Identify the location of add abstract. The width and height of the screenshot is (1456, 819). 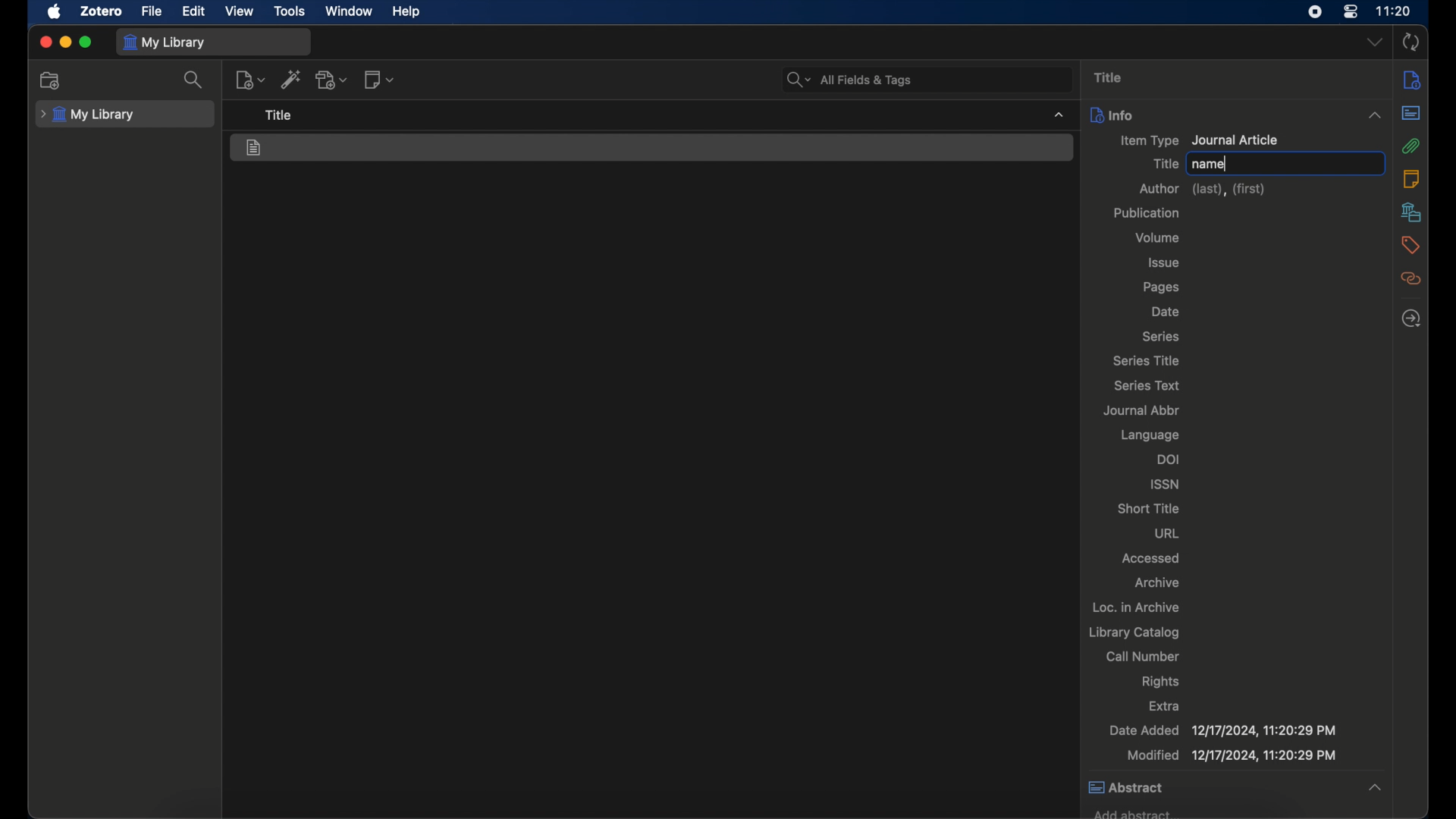
(1131, 811).